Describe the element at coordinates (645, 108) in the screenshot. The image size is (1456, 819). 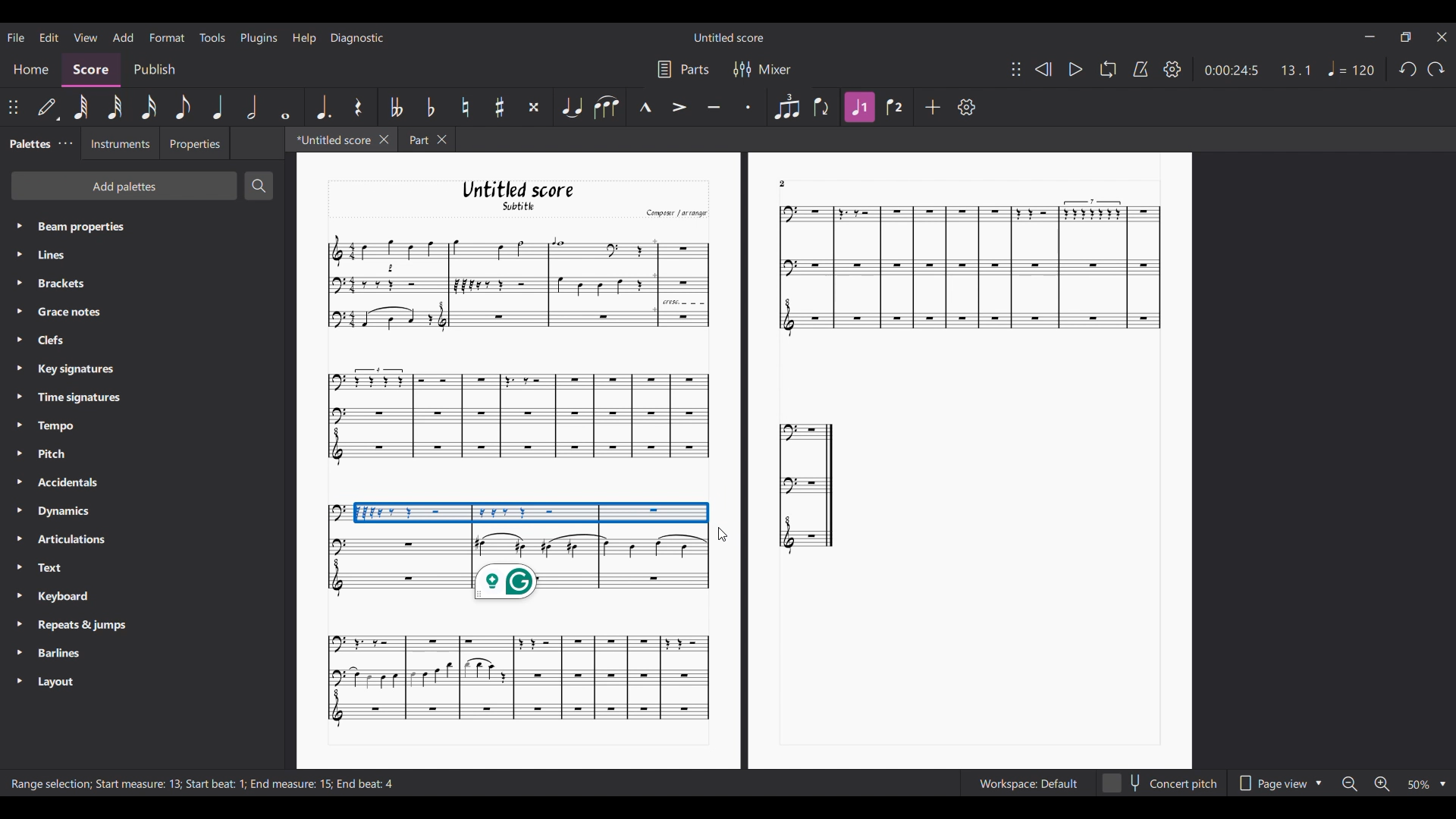
I see `Marcato` at that location.